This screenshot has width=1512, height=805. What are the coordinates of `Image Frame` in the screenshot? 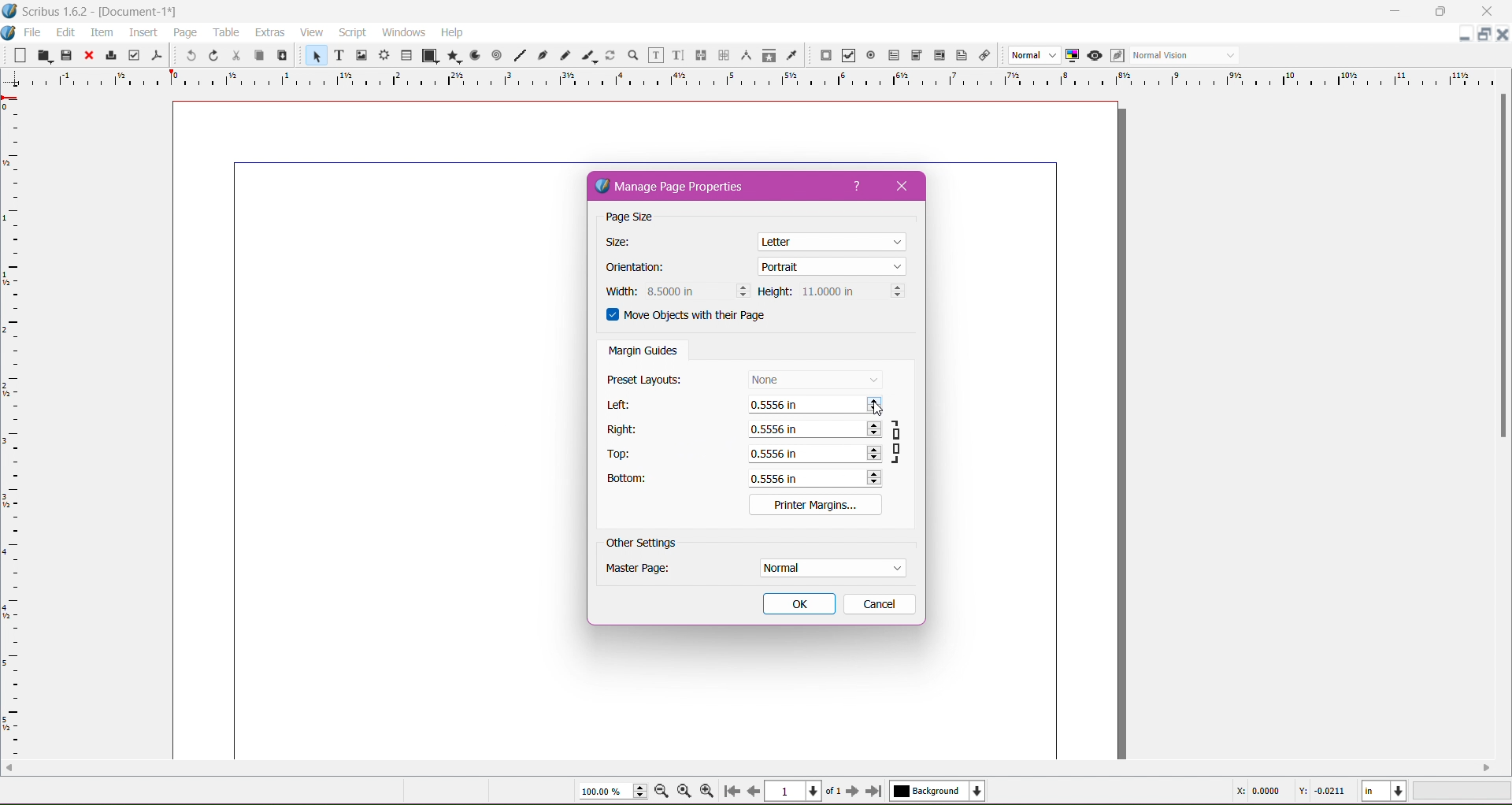 It's located at (362, 56).